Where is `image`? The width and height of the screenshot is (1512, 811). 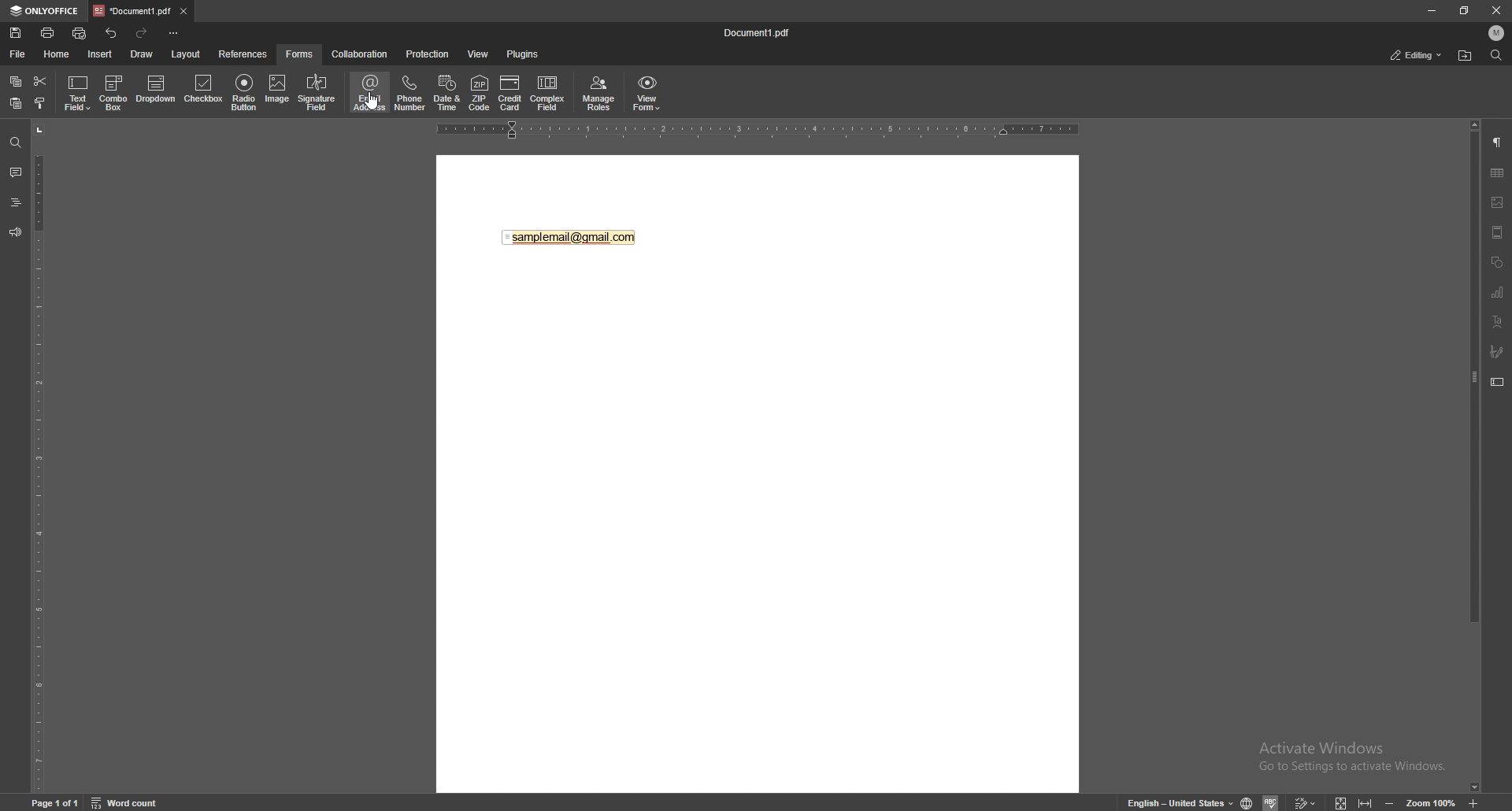 image is located at coordinates (277, 91).